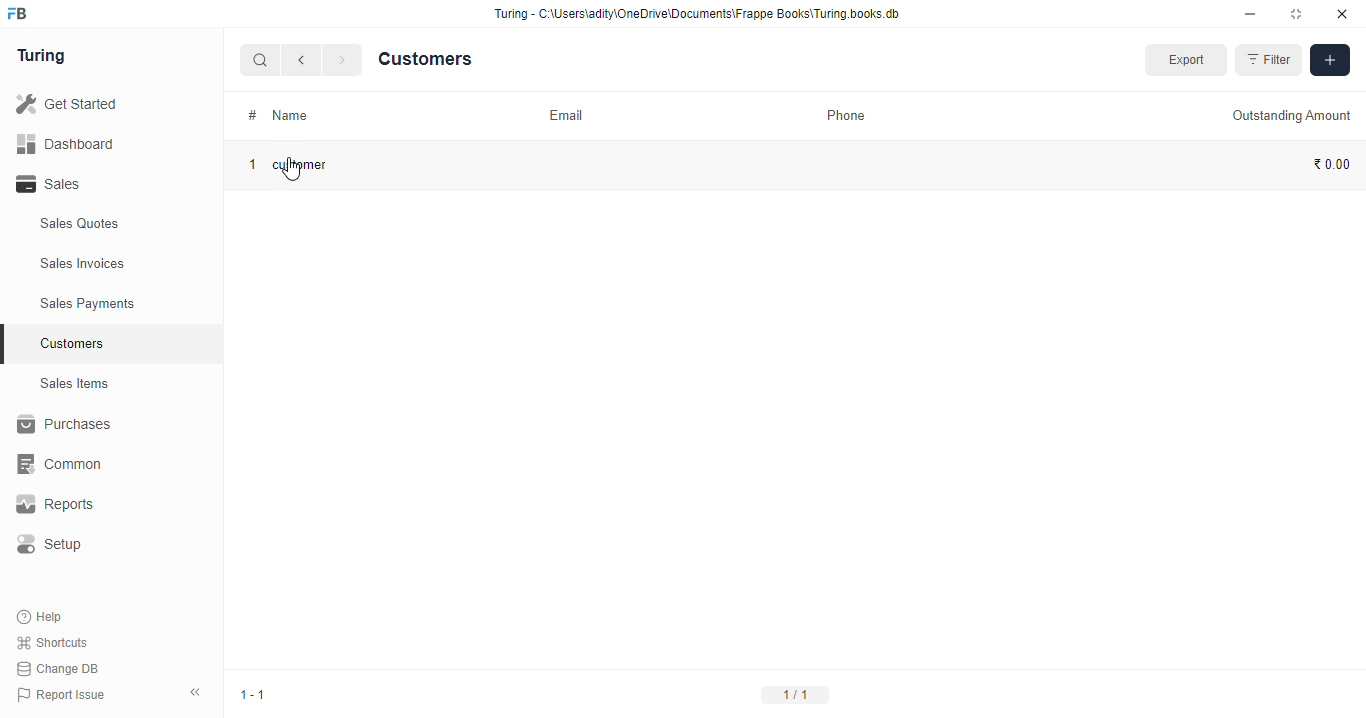 Image resolution: width=1366 pixels, height=718 pixels. What do you see at coordinates (58, 643) in the screenshot?
I see `Shortcuts` at bounding box center [58, 643].